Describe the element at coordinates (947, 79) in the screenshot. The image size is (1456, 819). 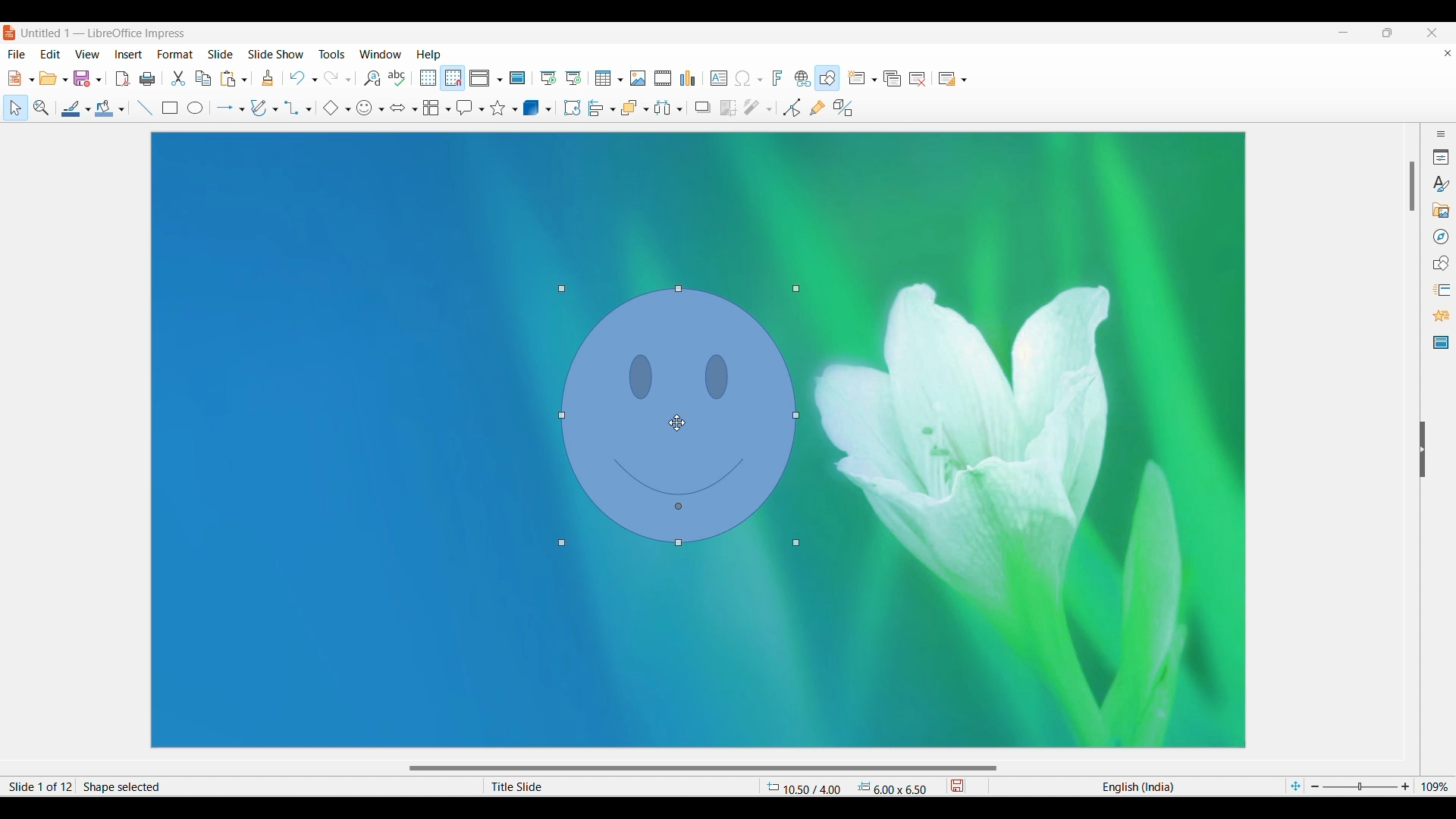
I see `Slide layout` at that location.